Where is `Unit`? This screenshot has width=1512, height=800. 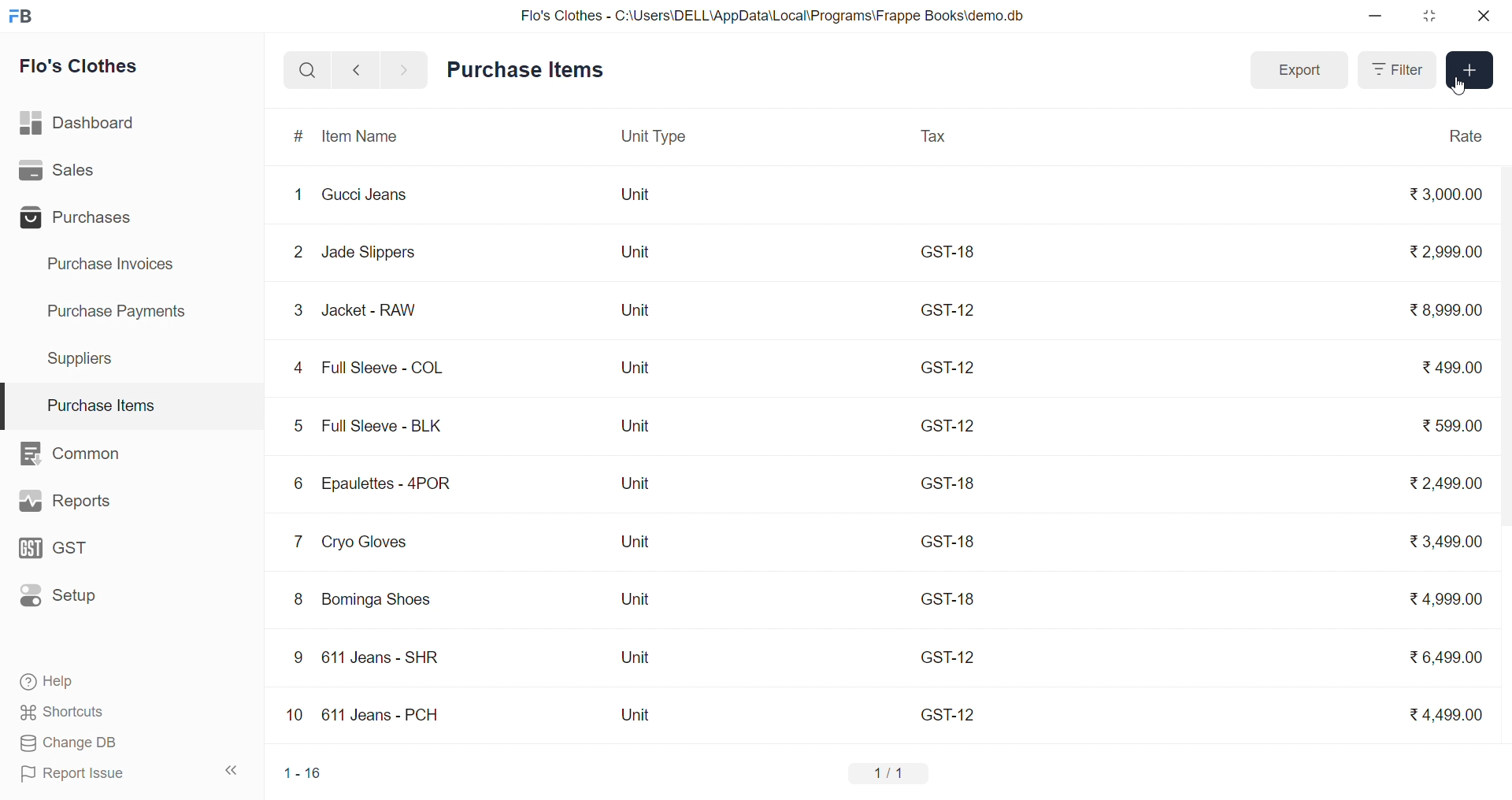
Unit is located at coordinates (643, 716).